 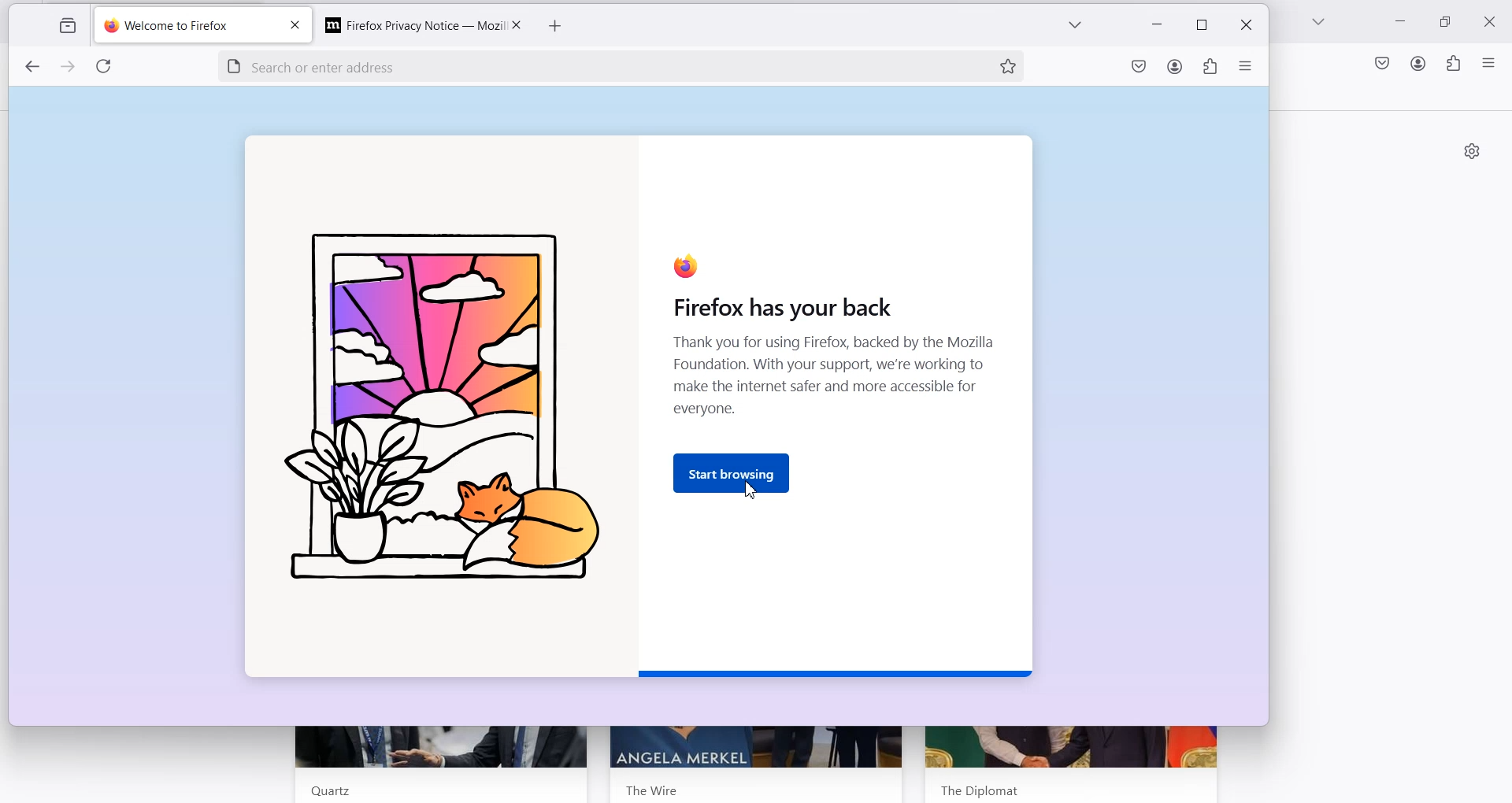 I want to click on next page, so click(x=69, y=68).